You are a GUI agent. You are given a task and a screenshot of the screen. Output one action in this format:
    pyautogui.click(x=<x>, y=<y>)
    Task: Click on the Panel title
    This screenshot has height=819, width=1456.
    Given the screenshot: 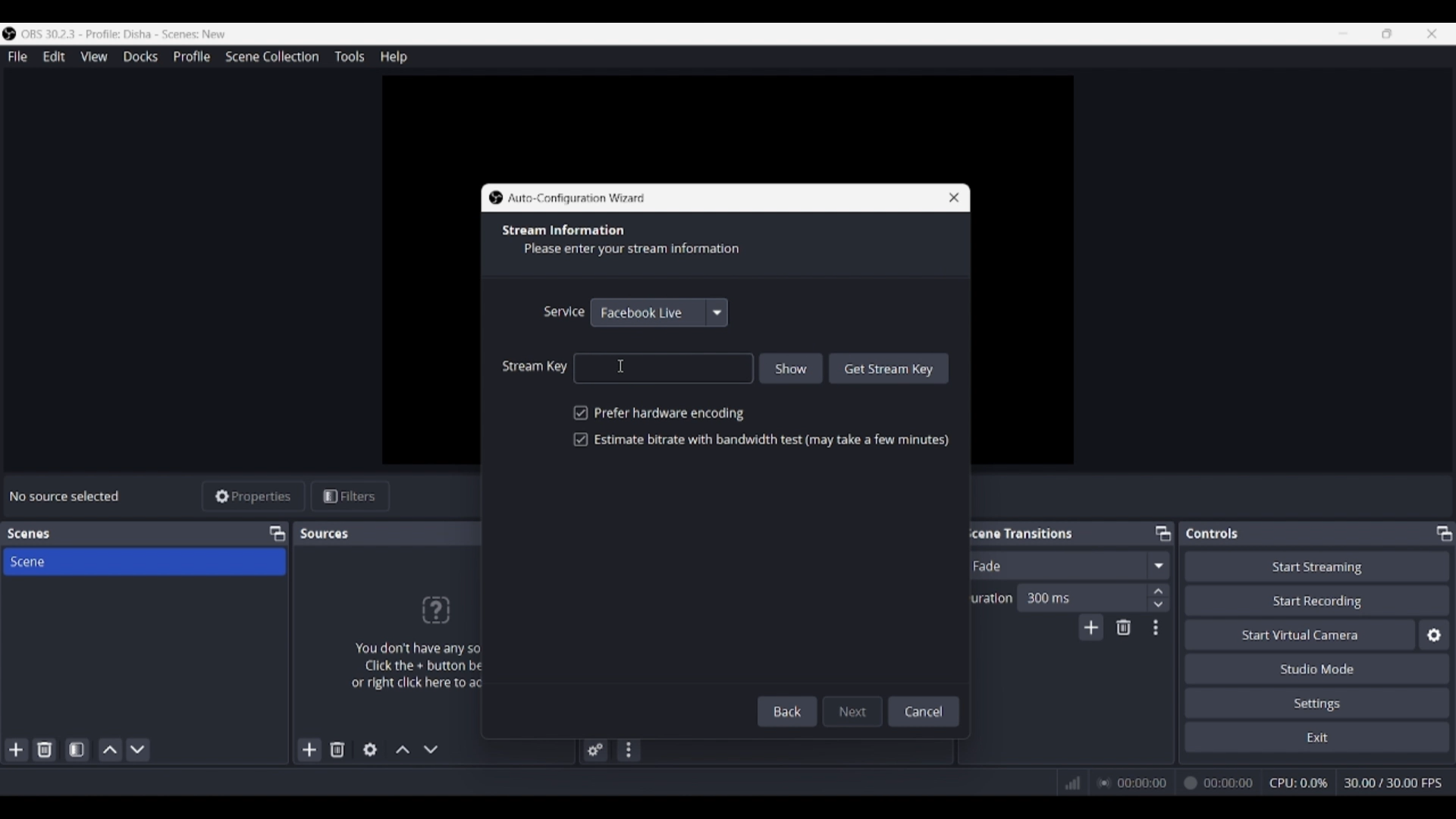 What is the action you would take?
    pyautogui.click(x=1019, y=532)
    